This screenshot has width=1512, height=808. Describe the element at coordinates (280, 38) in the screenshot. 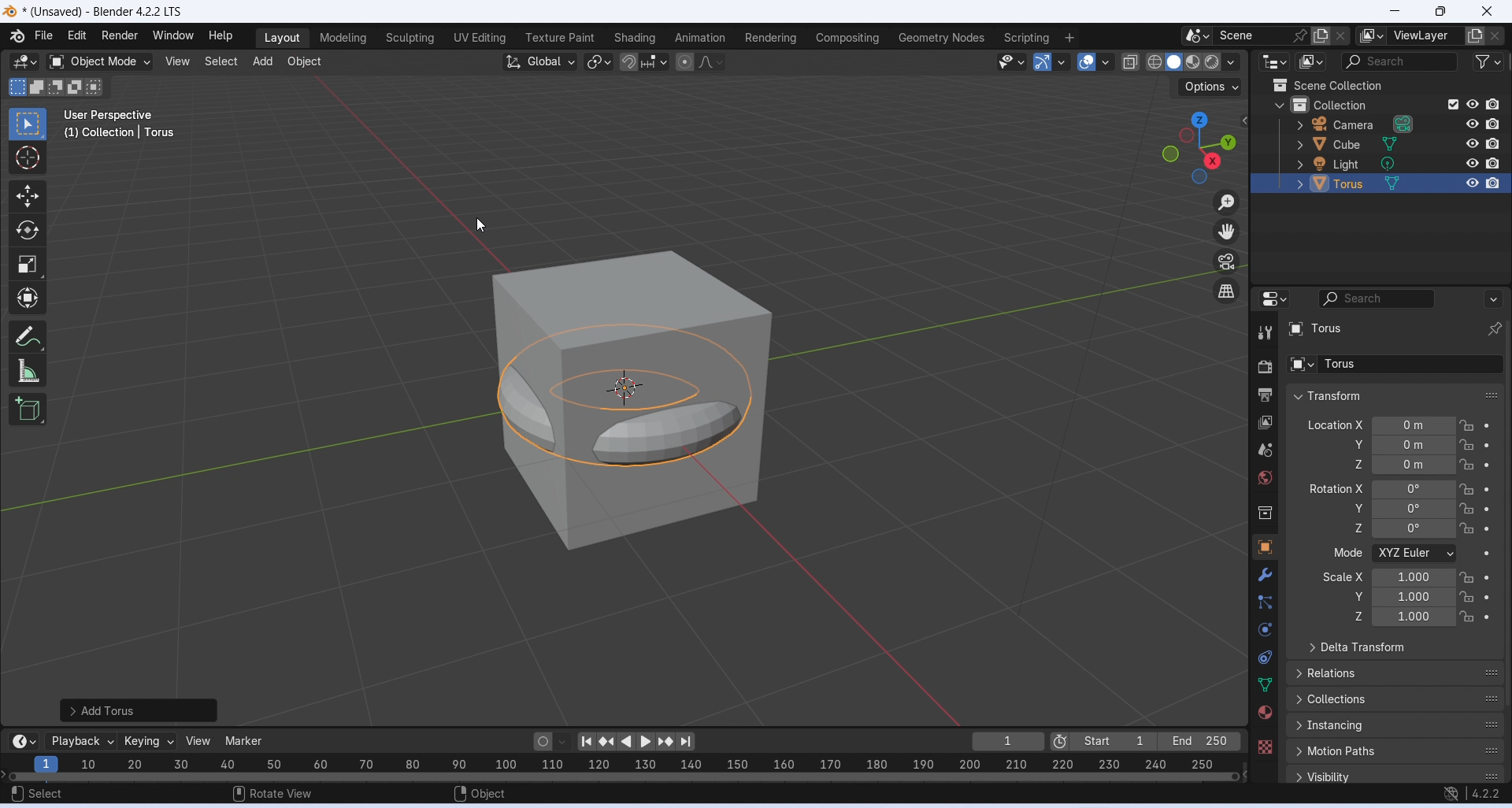

I see `Layout` at that location.